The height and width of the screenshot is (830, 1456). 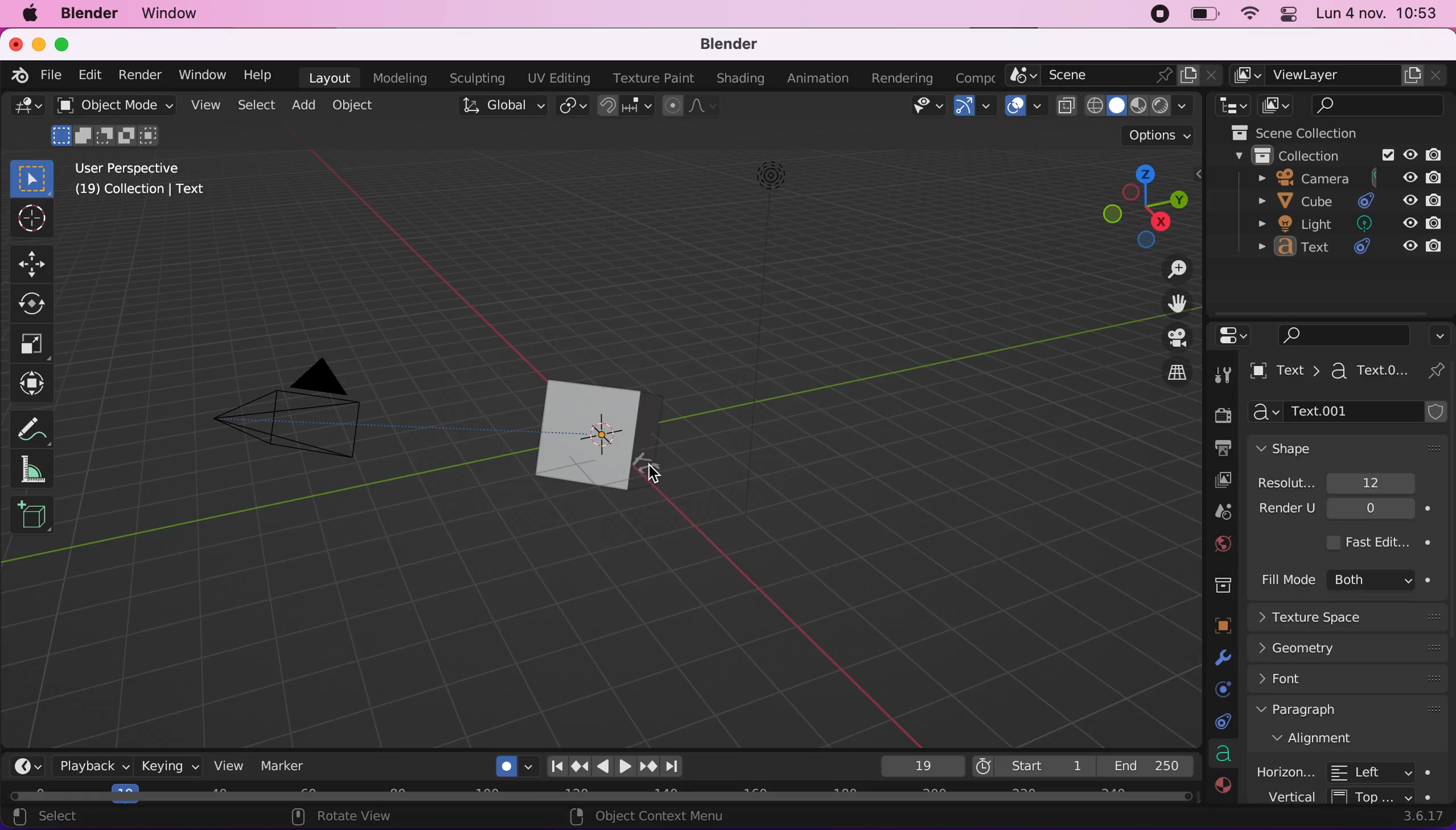 I want to click on select, so click(x=259, y=106).